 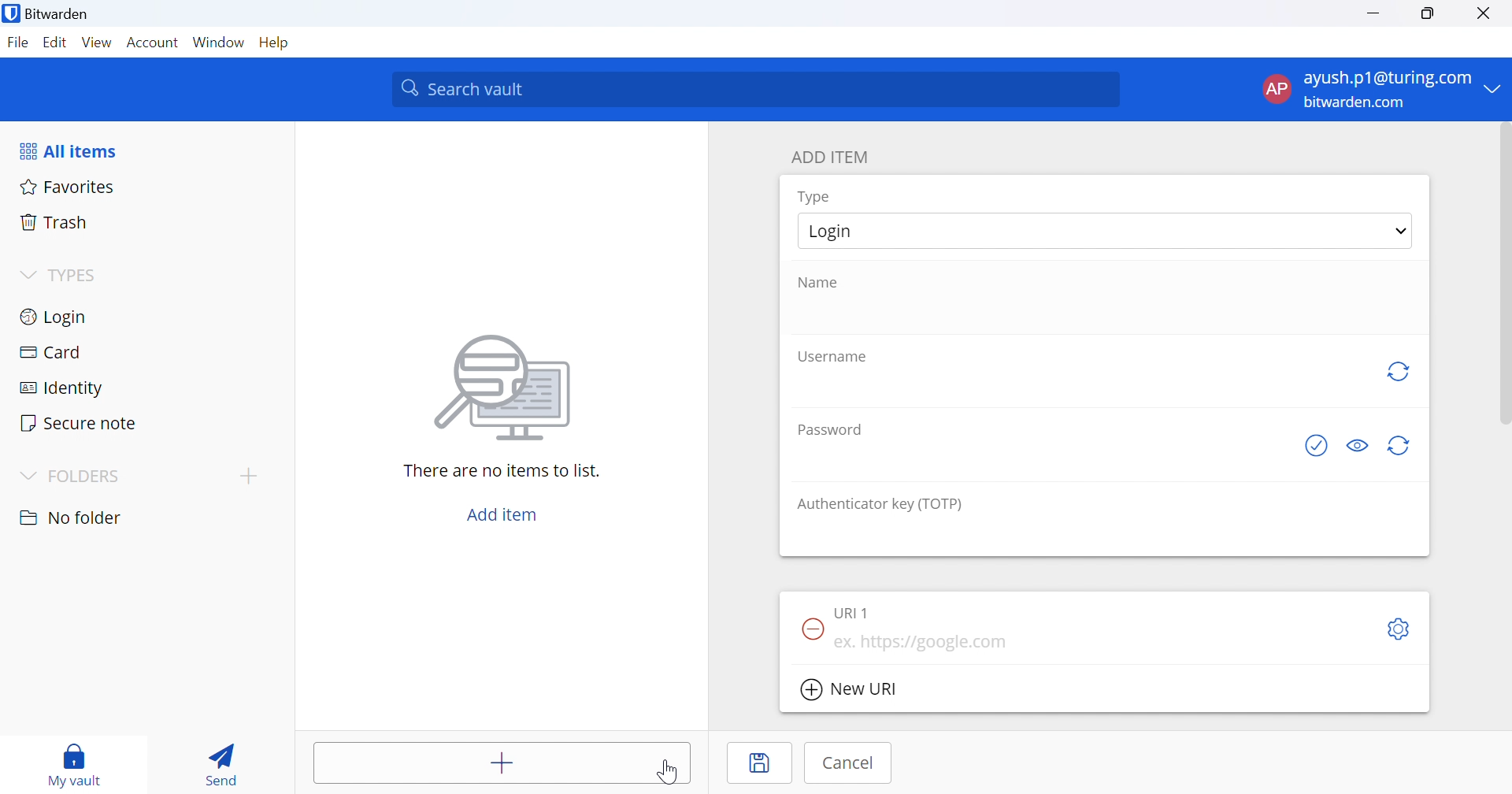 I want to click on Send, so click(x=224, y=760).